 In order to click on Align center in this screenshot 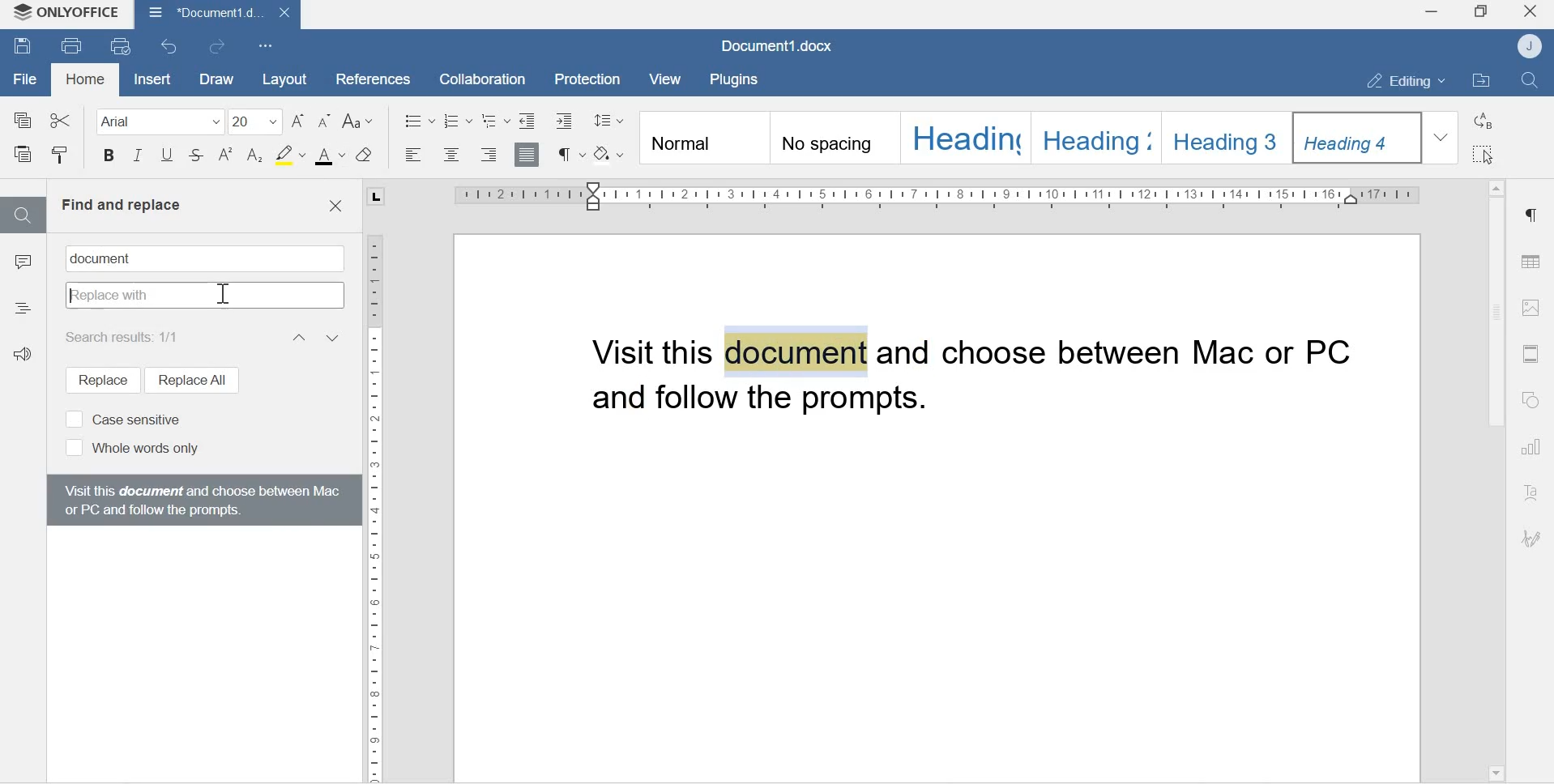, I will do `click(450, 156)`.